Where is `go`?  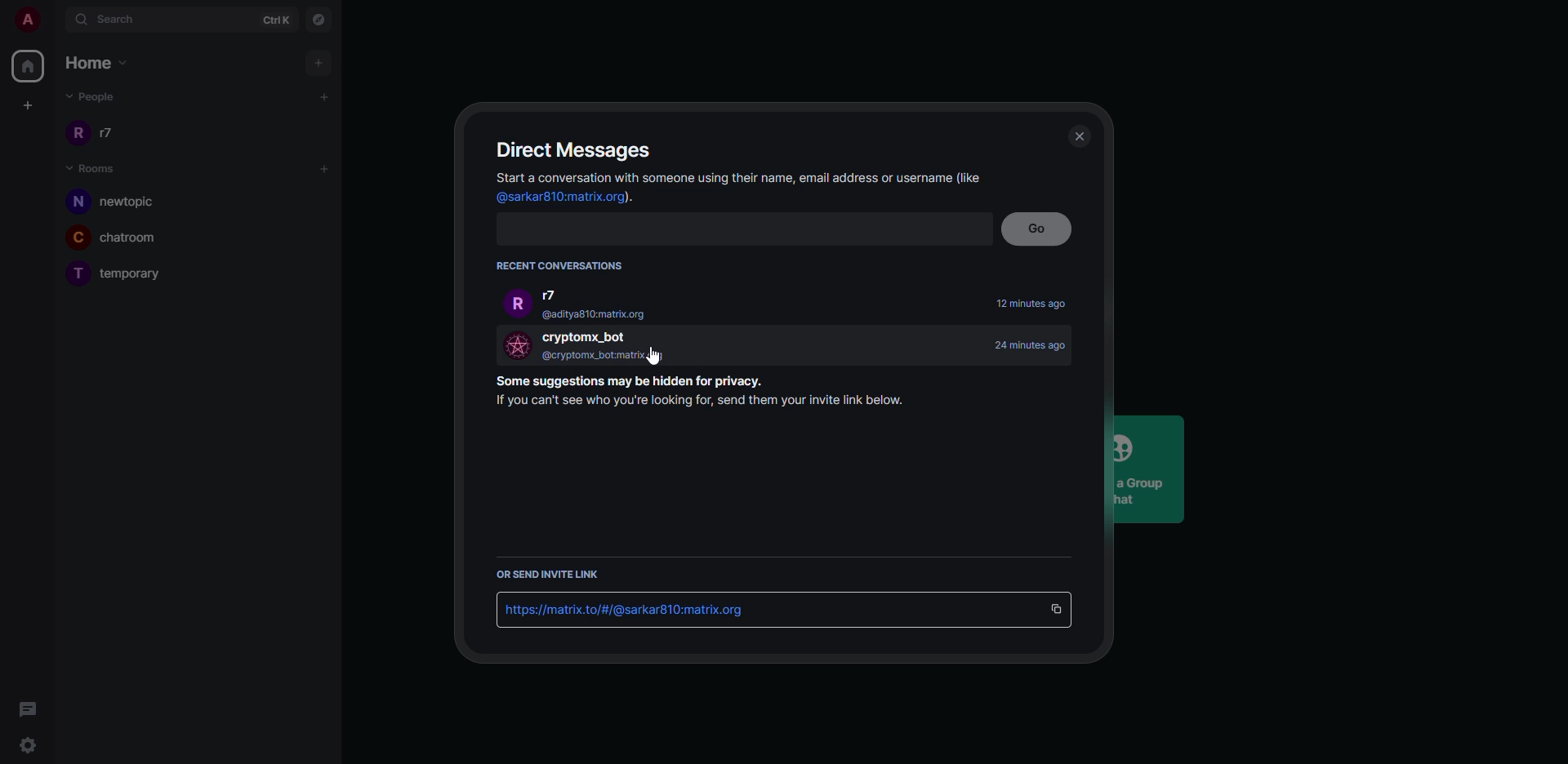 go is located at coordinates (1036, 226).